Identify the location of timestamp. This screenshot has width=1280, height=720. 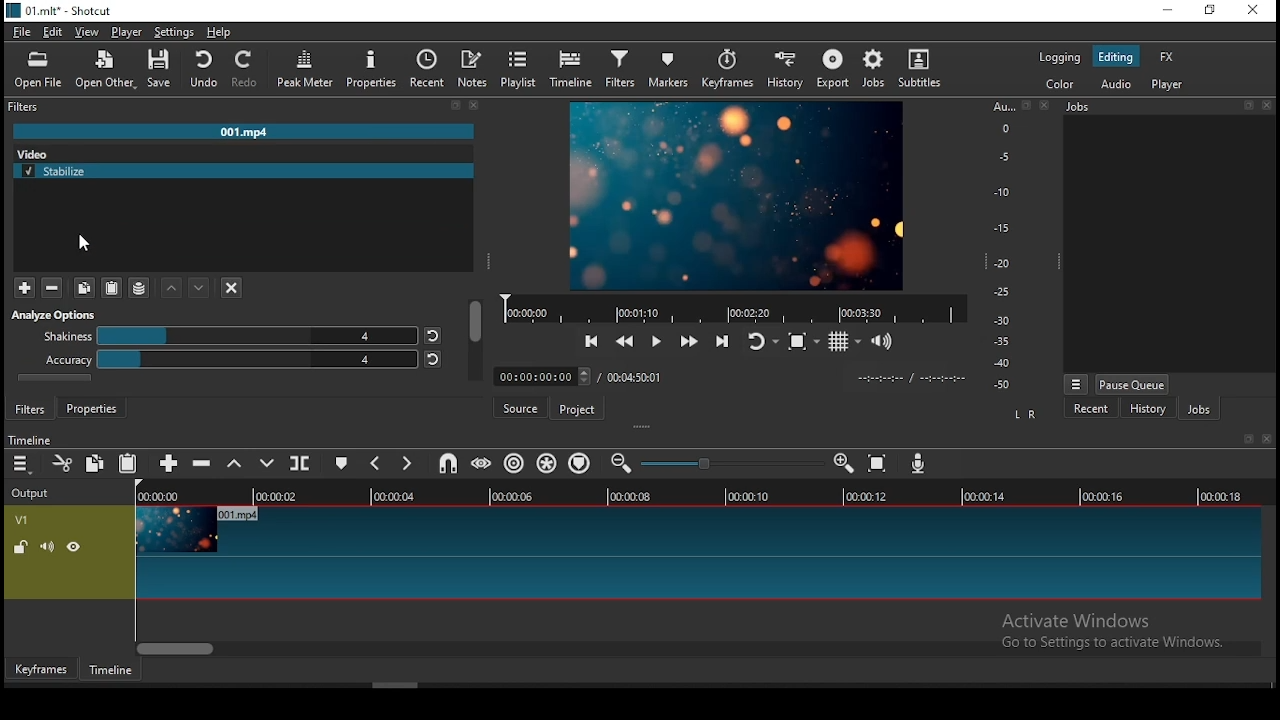
(913, 379).